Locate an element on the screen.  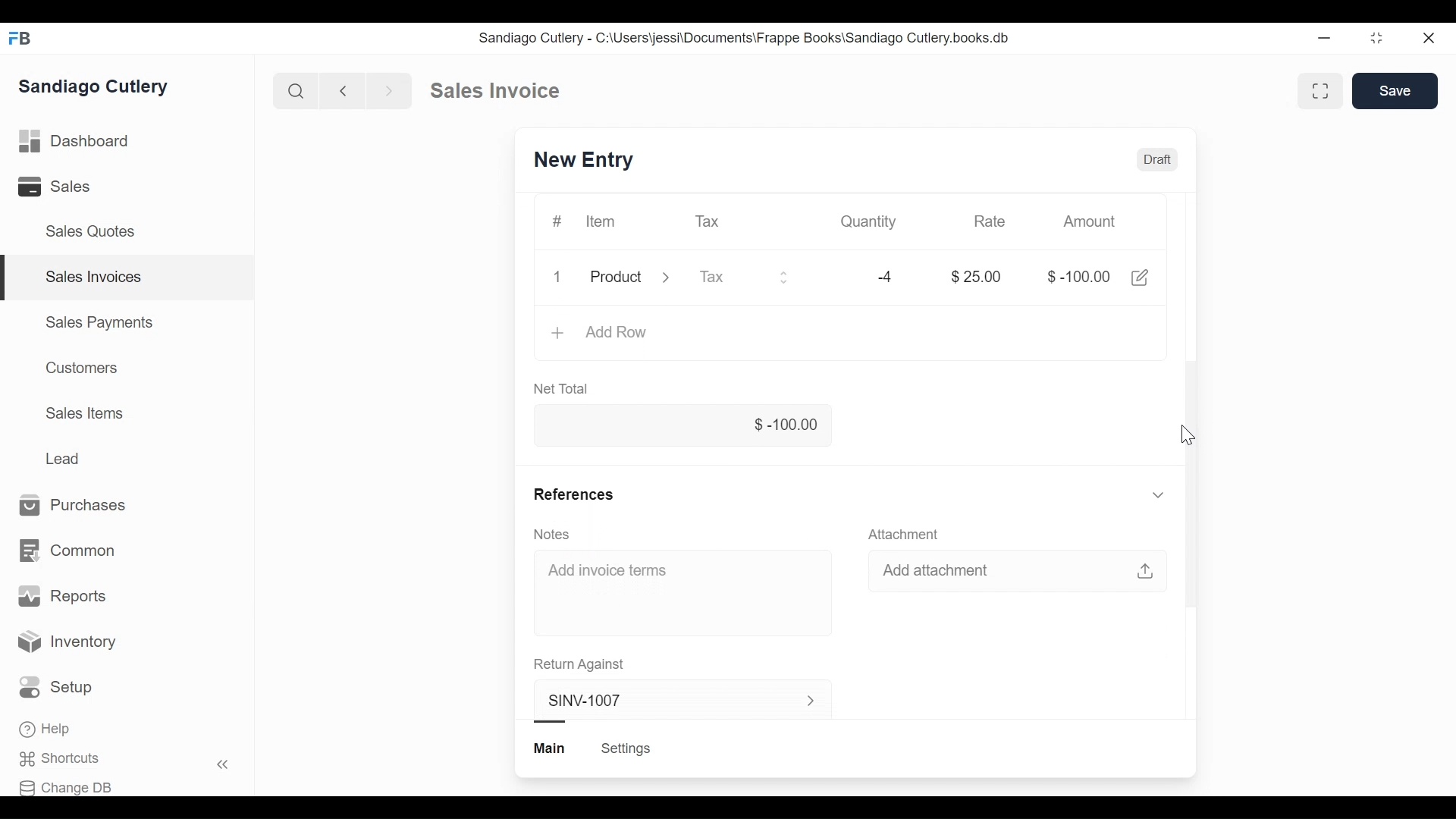
Previous is located at coordinates (344, 90).